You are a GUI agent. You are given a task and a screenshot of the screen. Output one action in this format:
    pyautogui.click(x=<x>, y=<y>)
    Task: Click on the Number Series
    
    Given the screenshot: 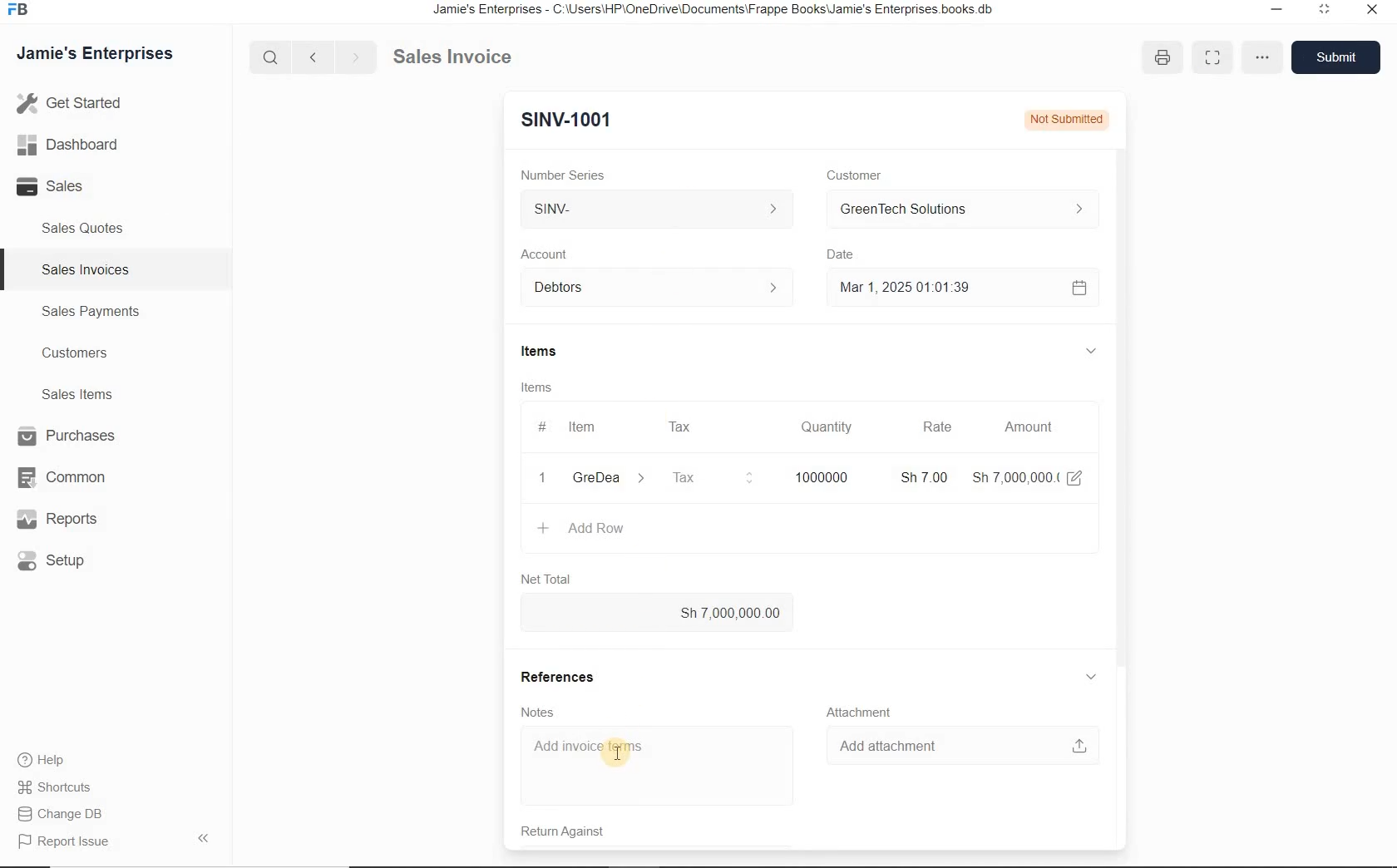 What is the action you would take?
    pyautogui.click(x=559, y=172)
    